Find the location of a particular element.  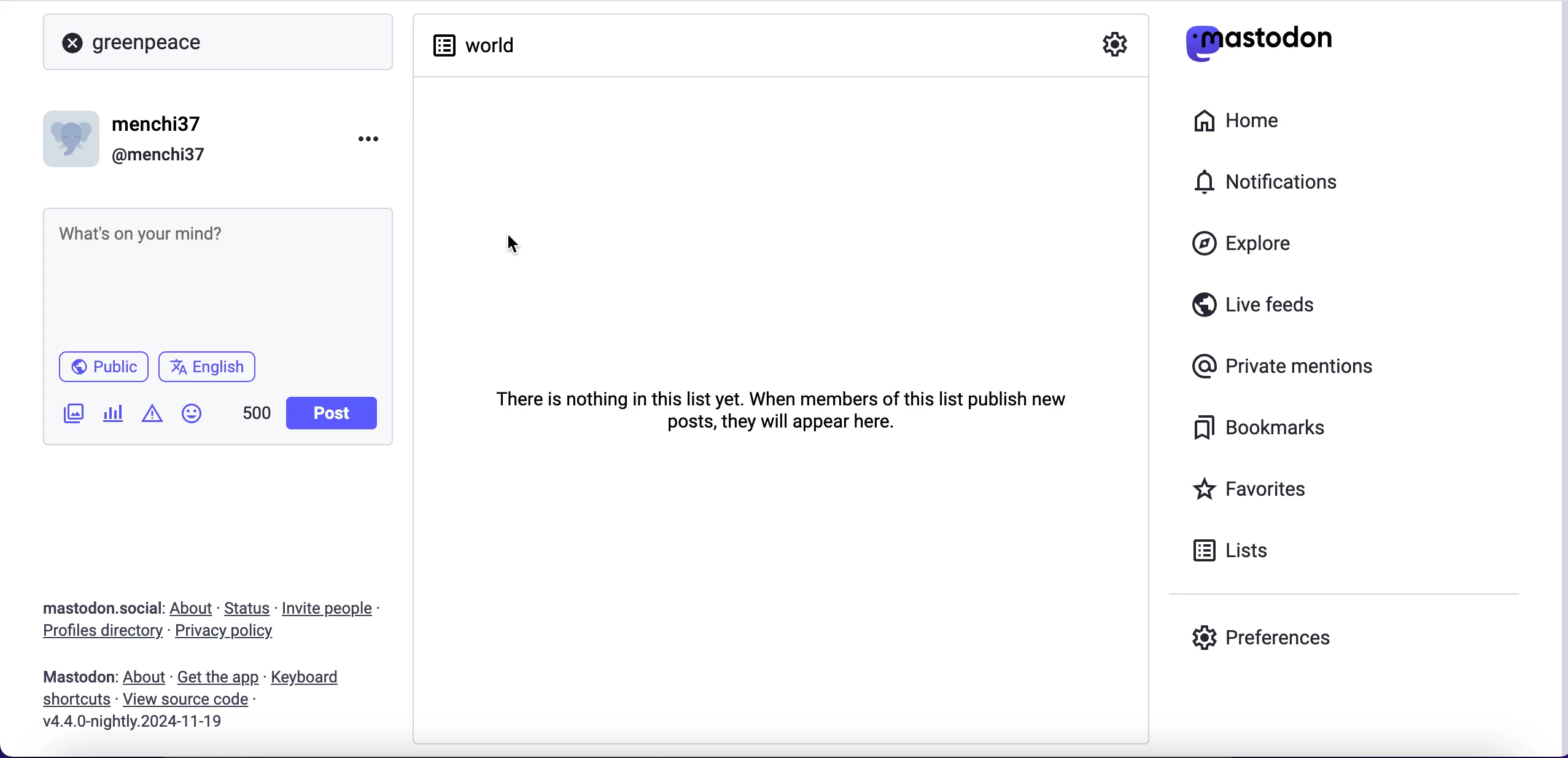

explore is located at coordinates (1254, 244).